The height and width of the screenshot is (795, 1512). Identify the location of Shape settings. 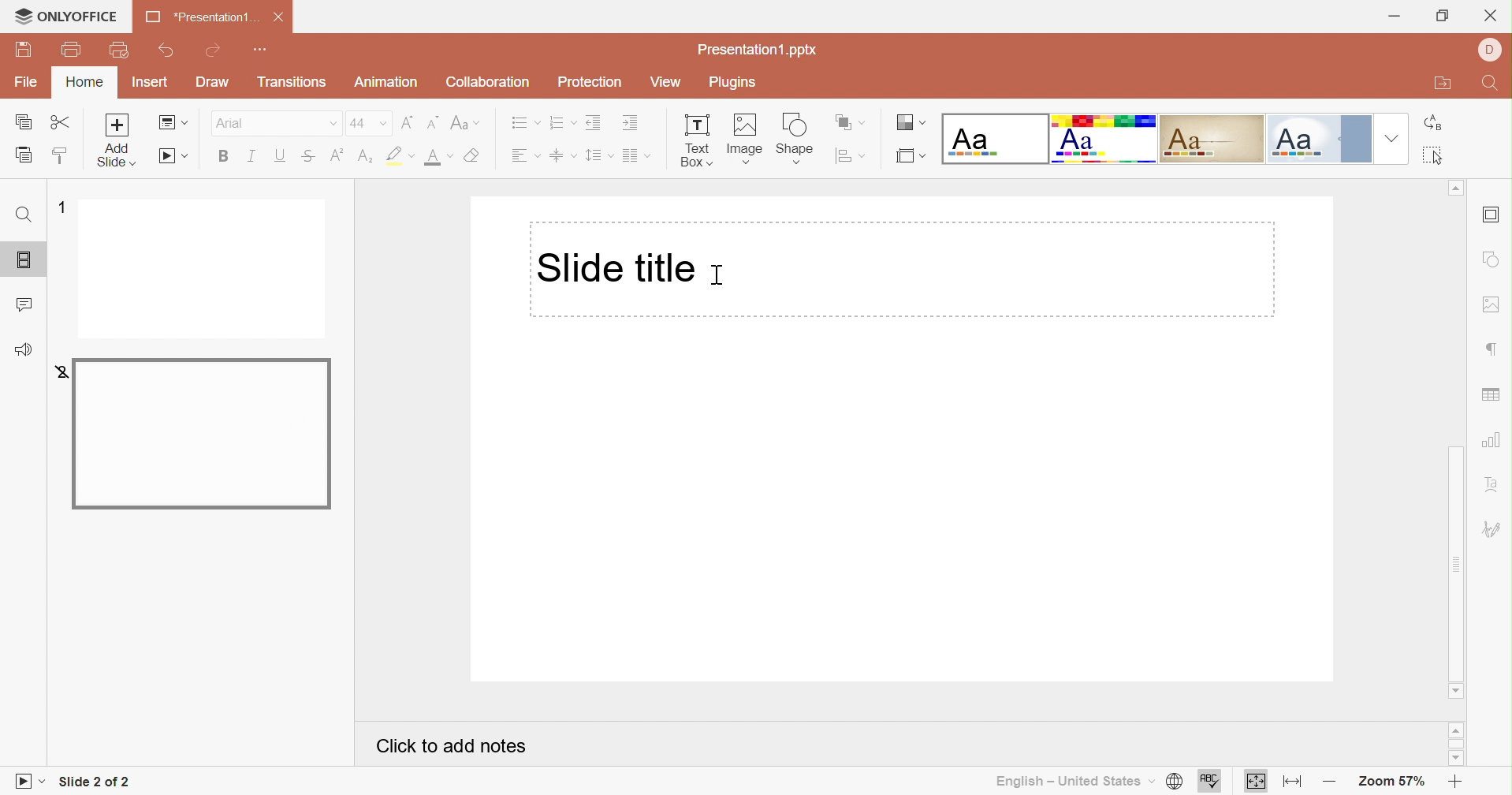
(1491, 259).